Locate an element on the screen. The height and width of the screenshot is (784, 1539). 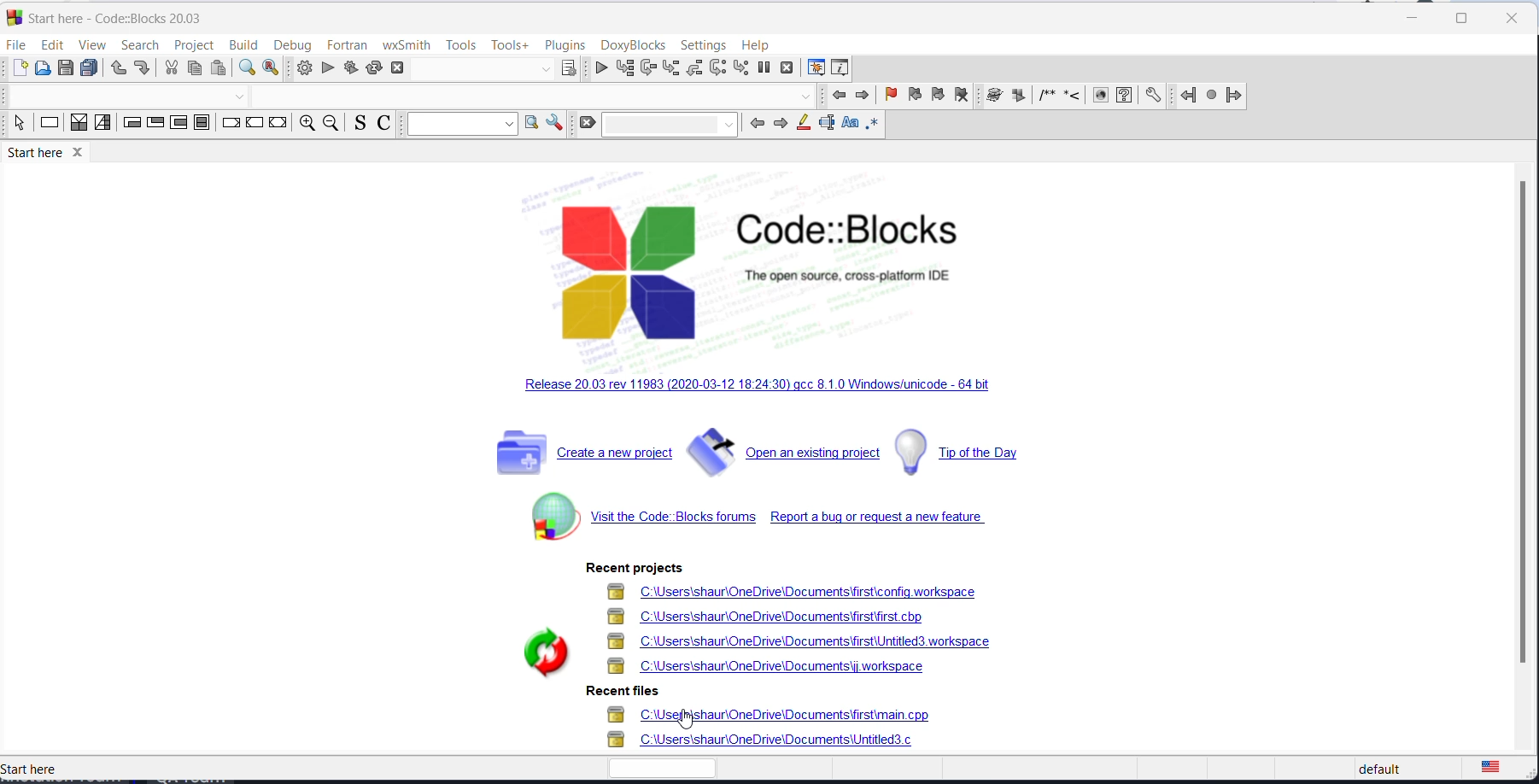
BREAK DEBUGGER is located at coordinates (766, 69).